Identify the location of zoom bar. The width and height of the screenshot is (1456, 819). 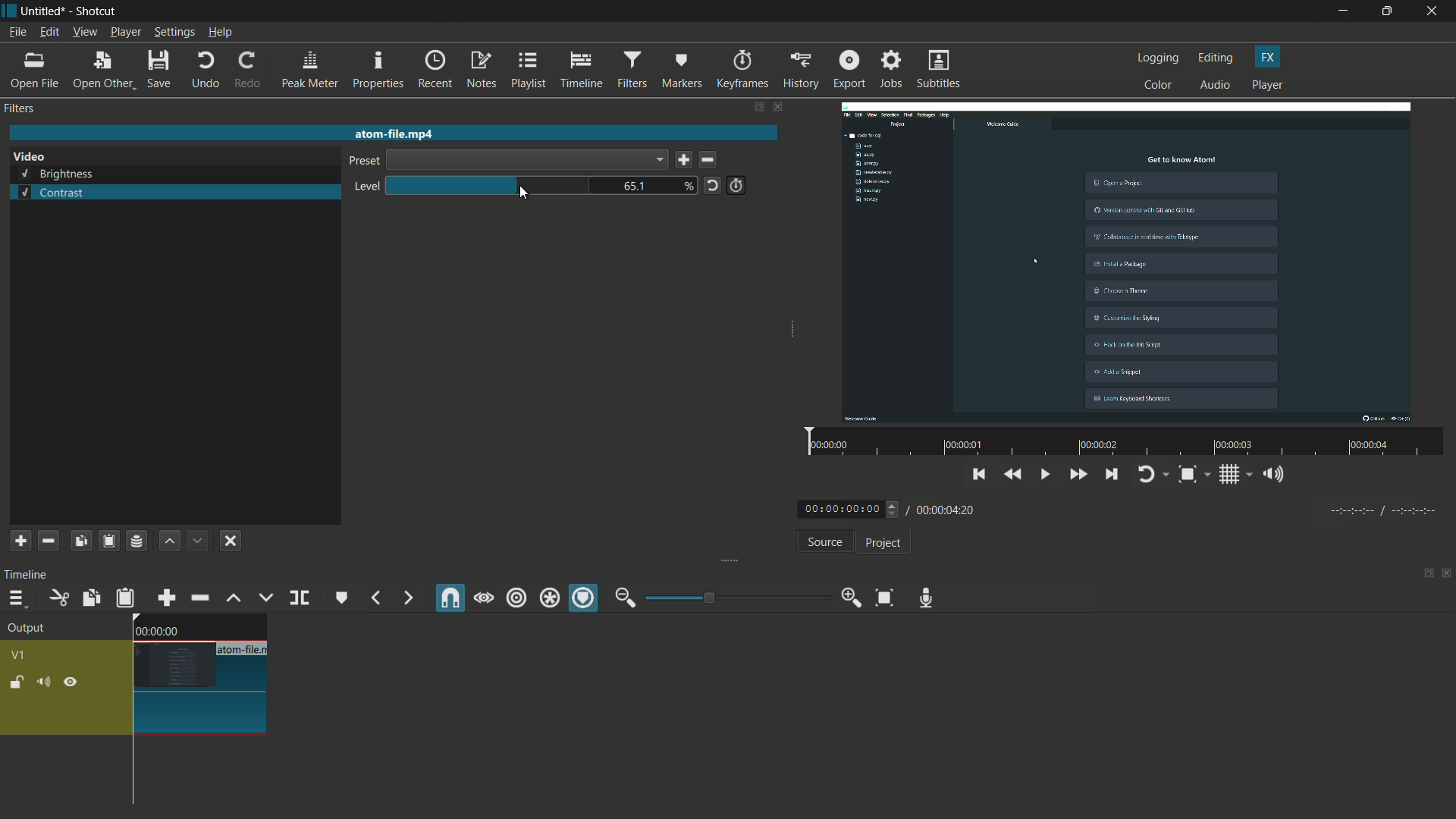
(732, 597).